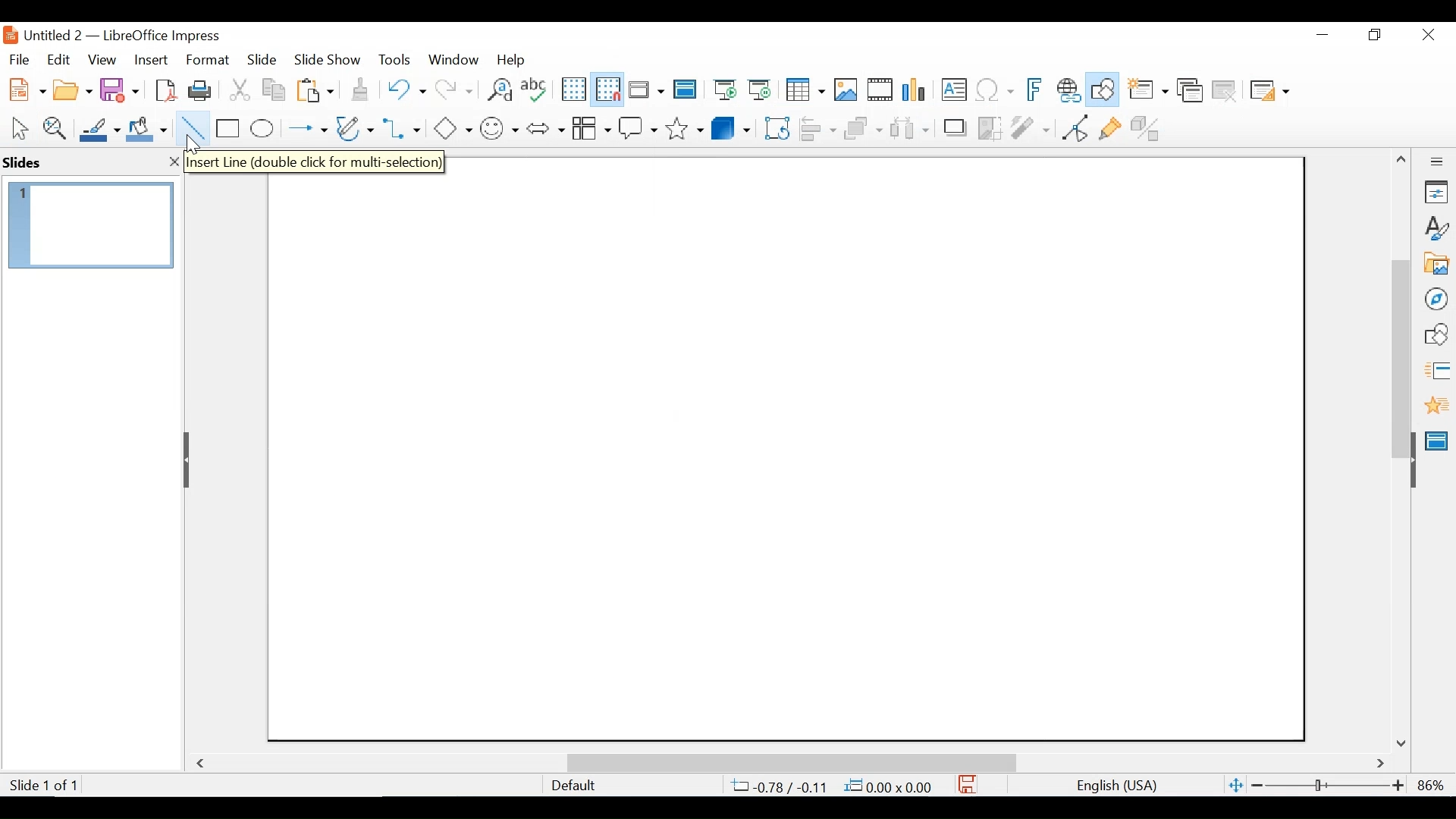  What do you see at coordinates (1036, 90) in the screenshot?
I see `Insert Frontwork` at bounding box center [1036, 90].